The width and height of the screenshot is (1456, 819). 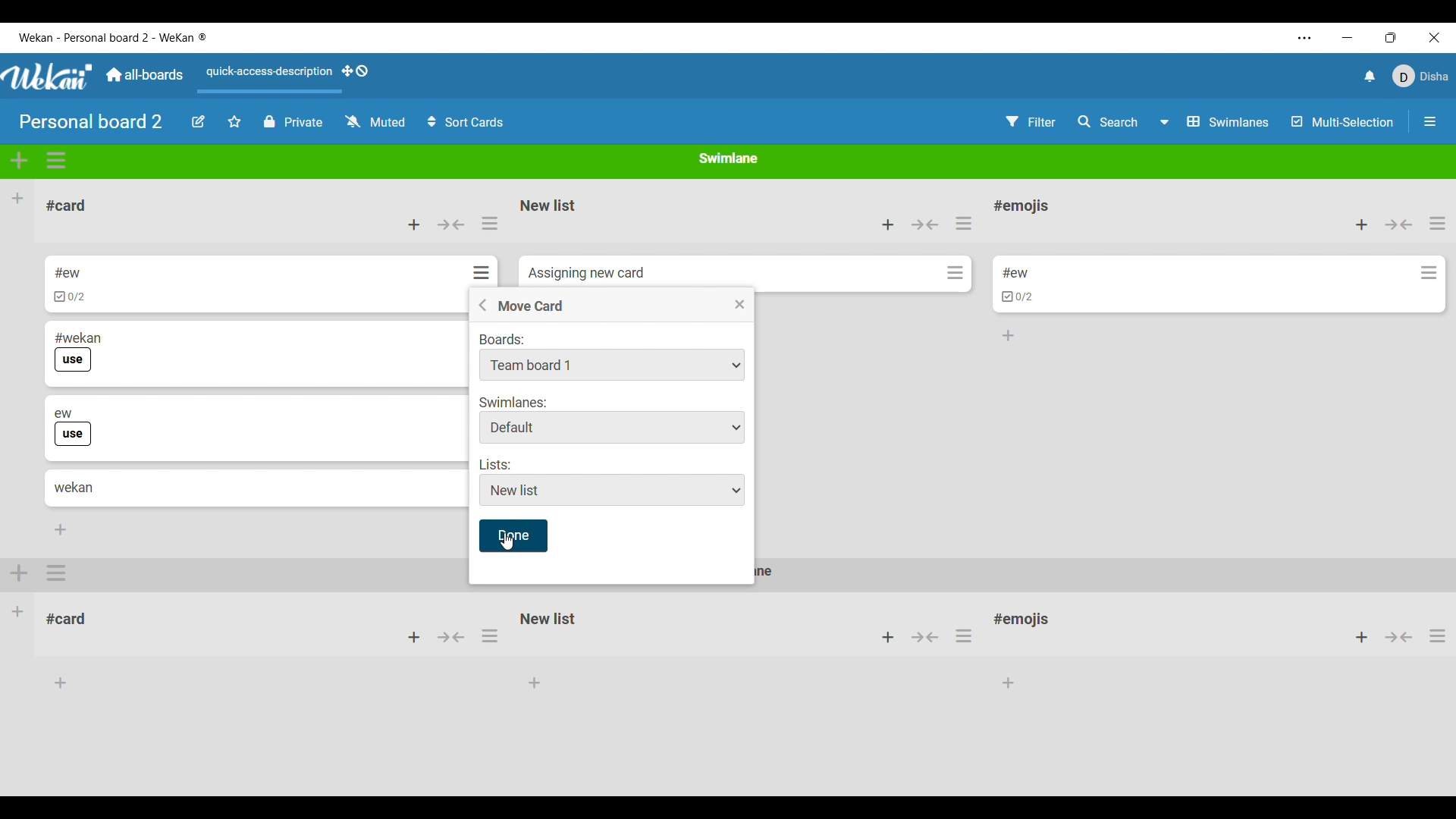 I want to click on List title, so click(x=67, y=206).